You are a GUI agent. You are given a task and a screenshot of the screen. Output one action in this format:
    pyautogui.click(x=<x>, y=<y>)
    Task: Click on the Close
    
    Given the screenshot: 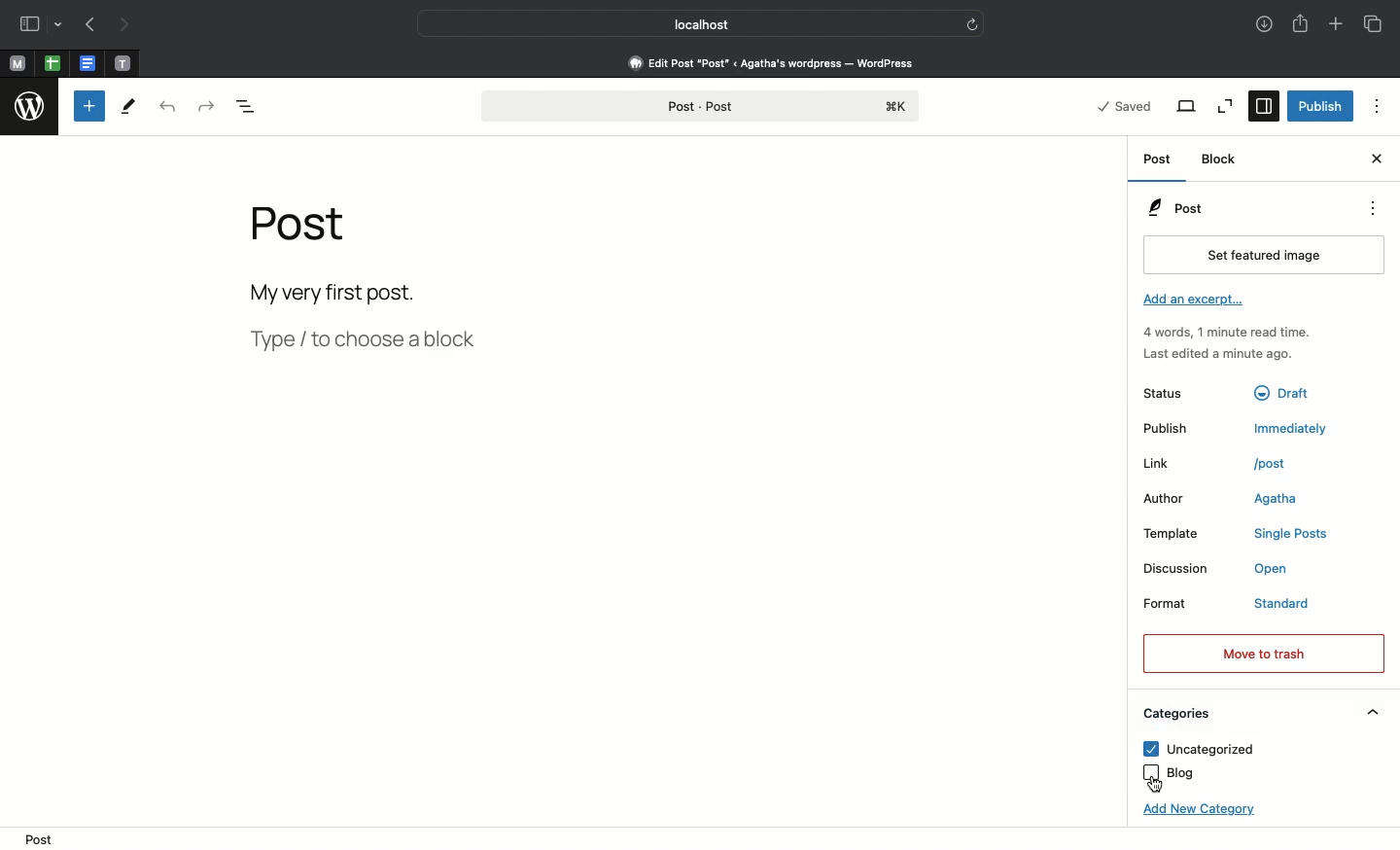 What is the action you would take?
    pyautogui.click(x=1375, y=160)
    